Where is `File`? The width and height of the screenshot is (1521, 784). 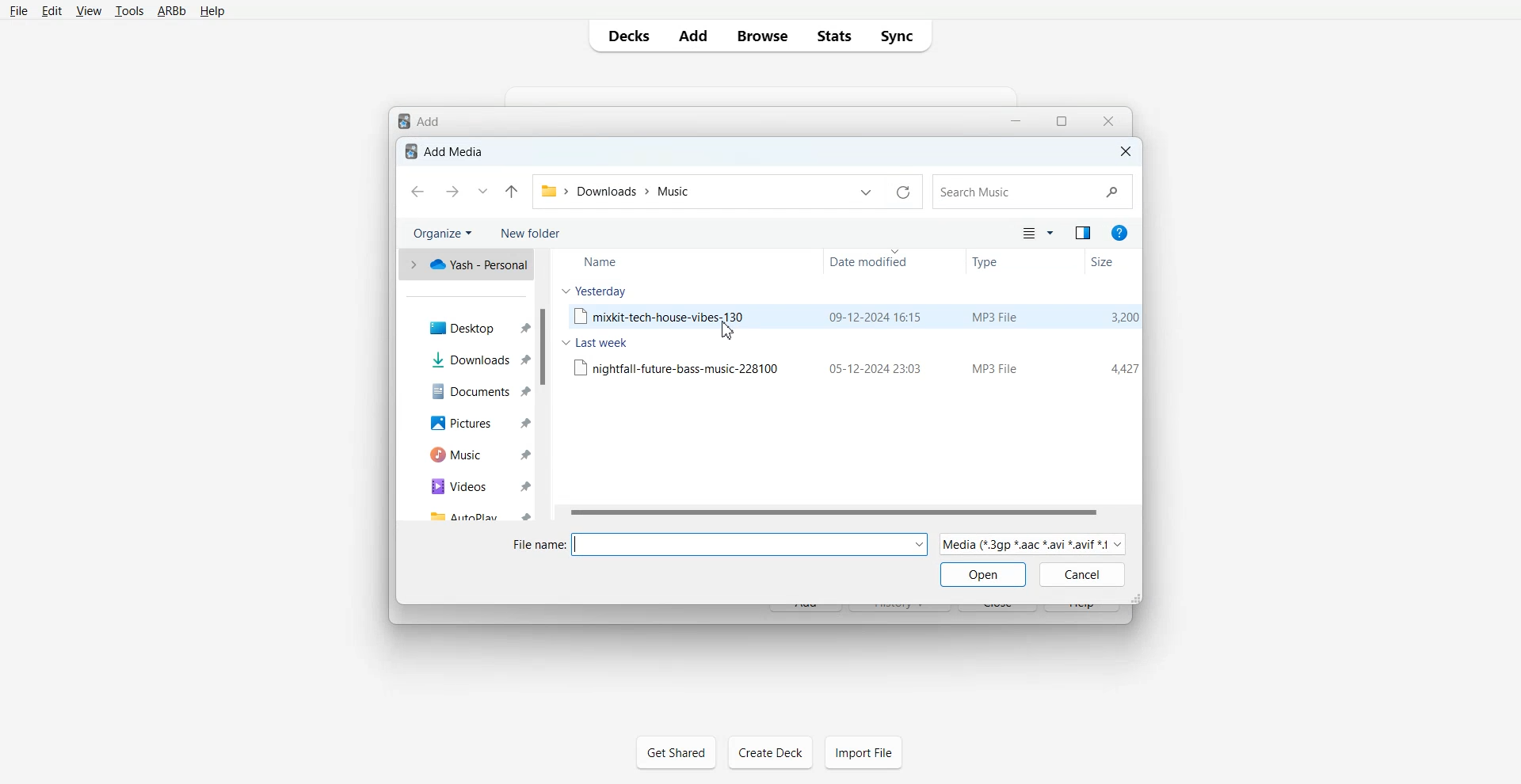
File is located at coordinates (18, 11).